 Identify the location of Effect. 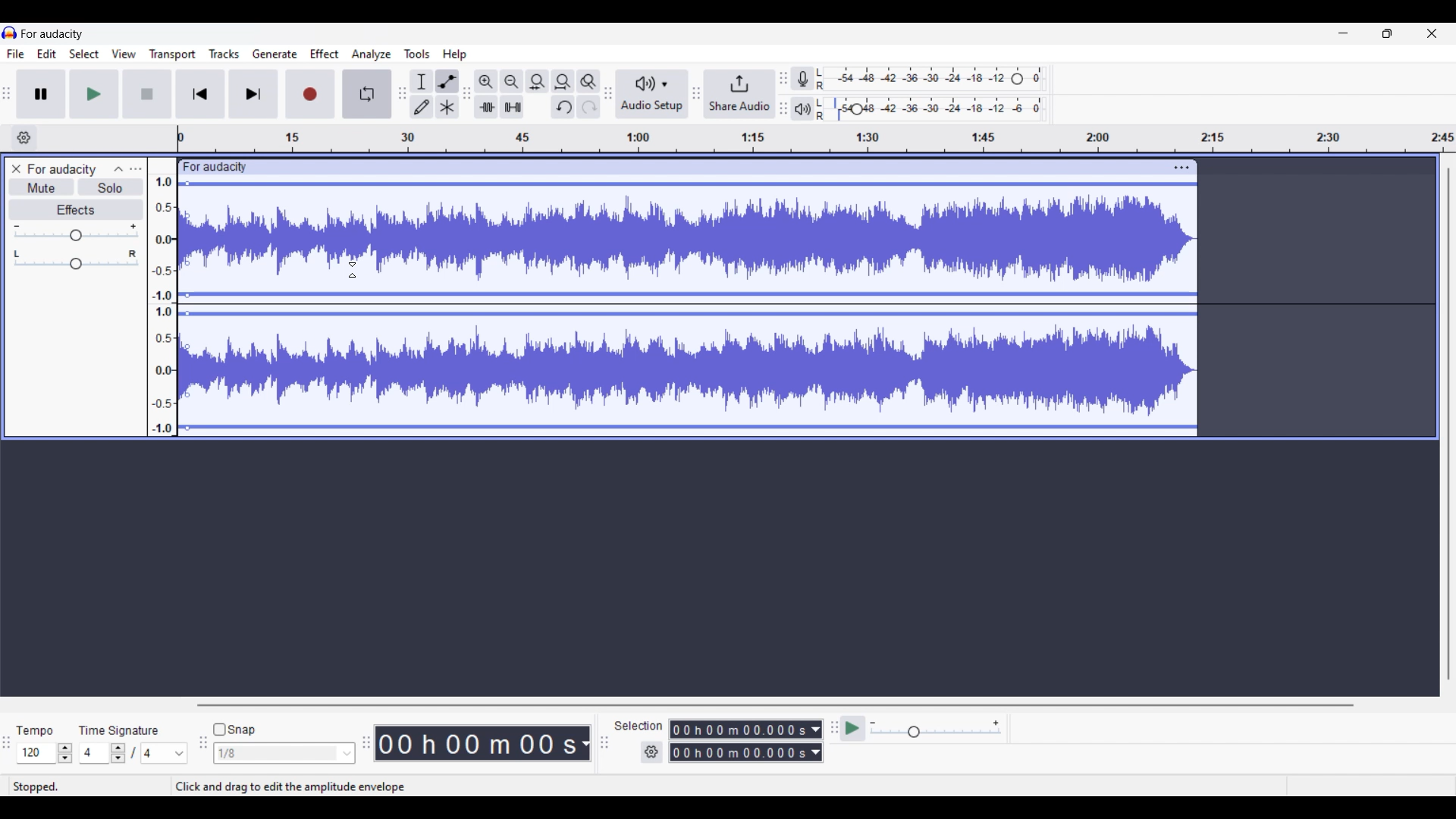
(325, 53).